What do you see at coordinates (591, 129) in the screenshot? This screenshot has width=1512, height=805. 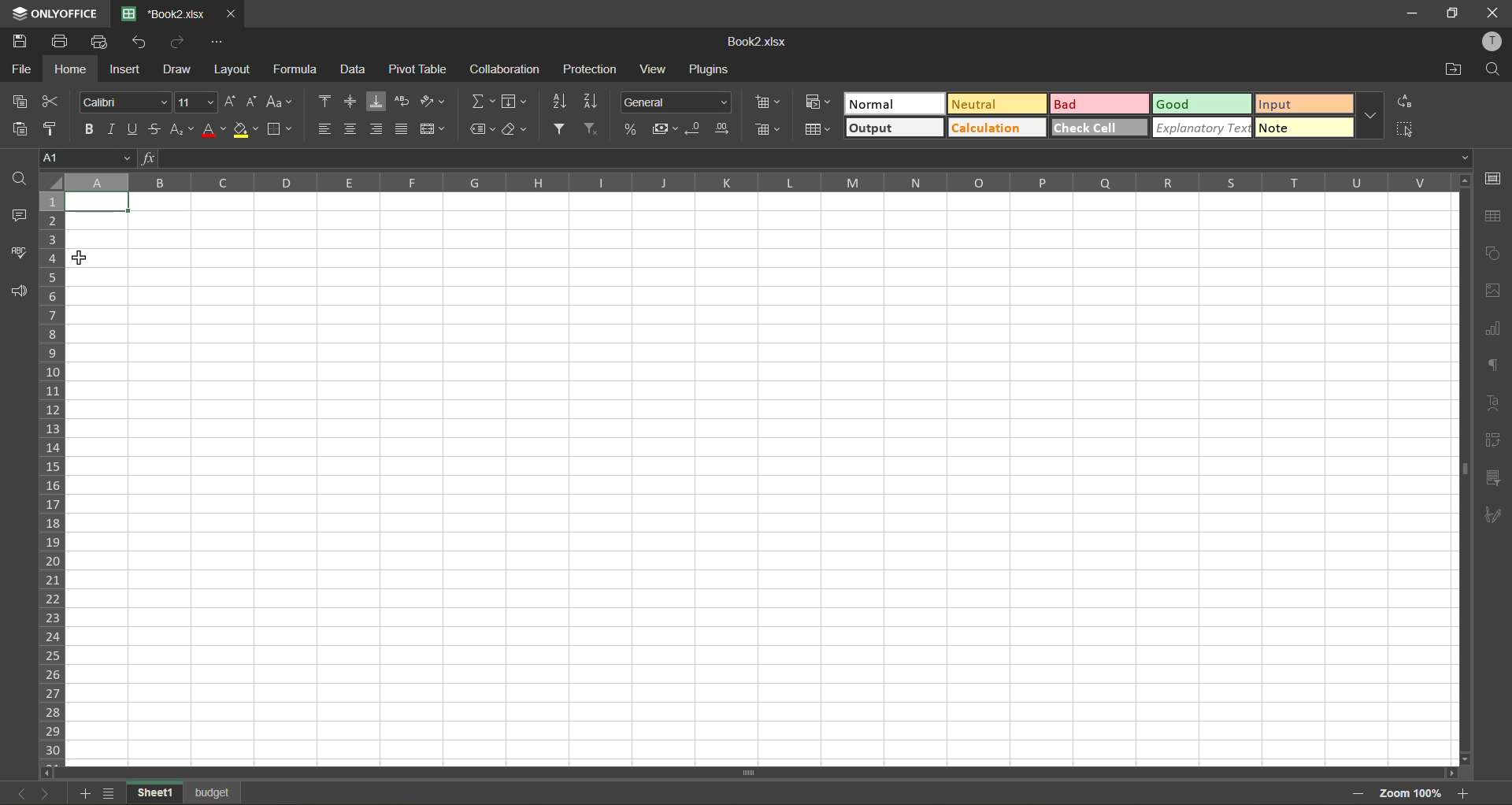 I see `clear filter` at bounding box center [591, 129].